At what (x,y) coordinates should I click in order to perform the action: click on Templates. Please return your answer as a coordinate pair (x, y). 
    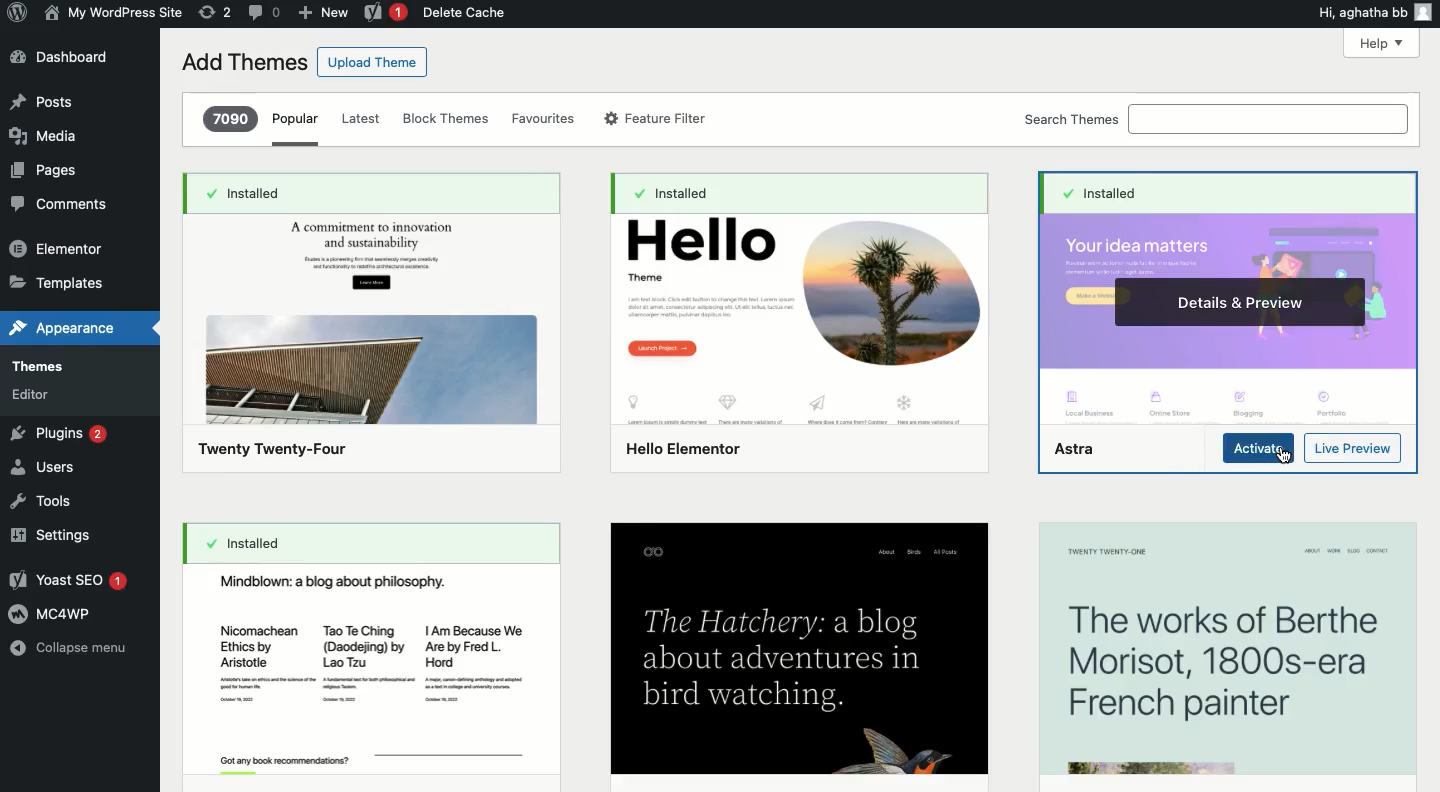
    Looking at the image, I should click on (60, 279).